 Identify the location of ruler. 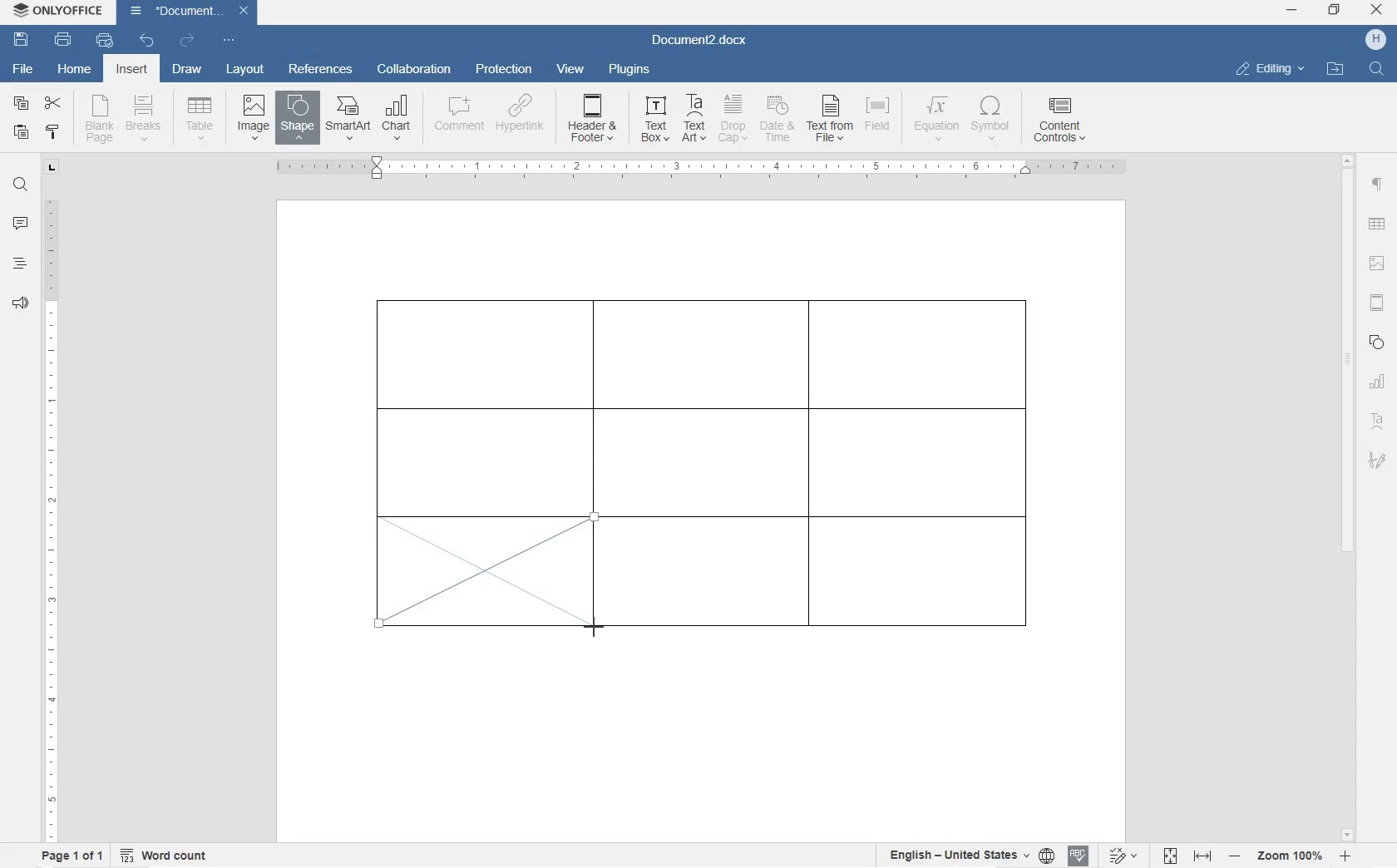
(51, 515).